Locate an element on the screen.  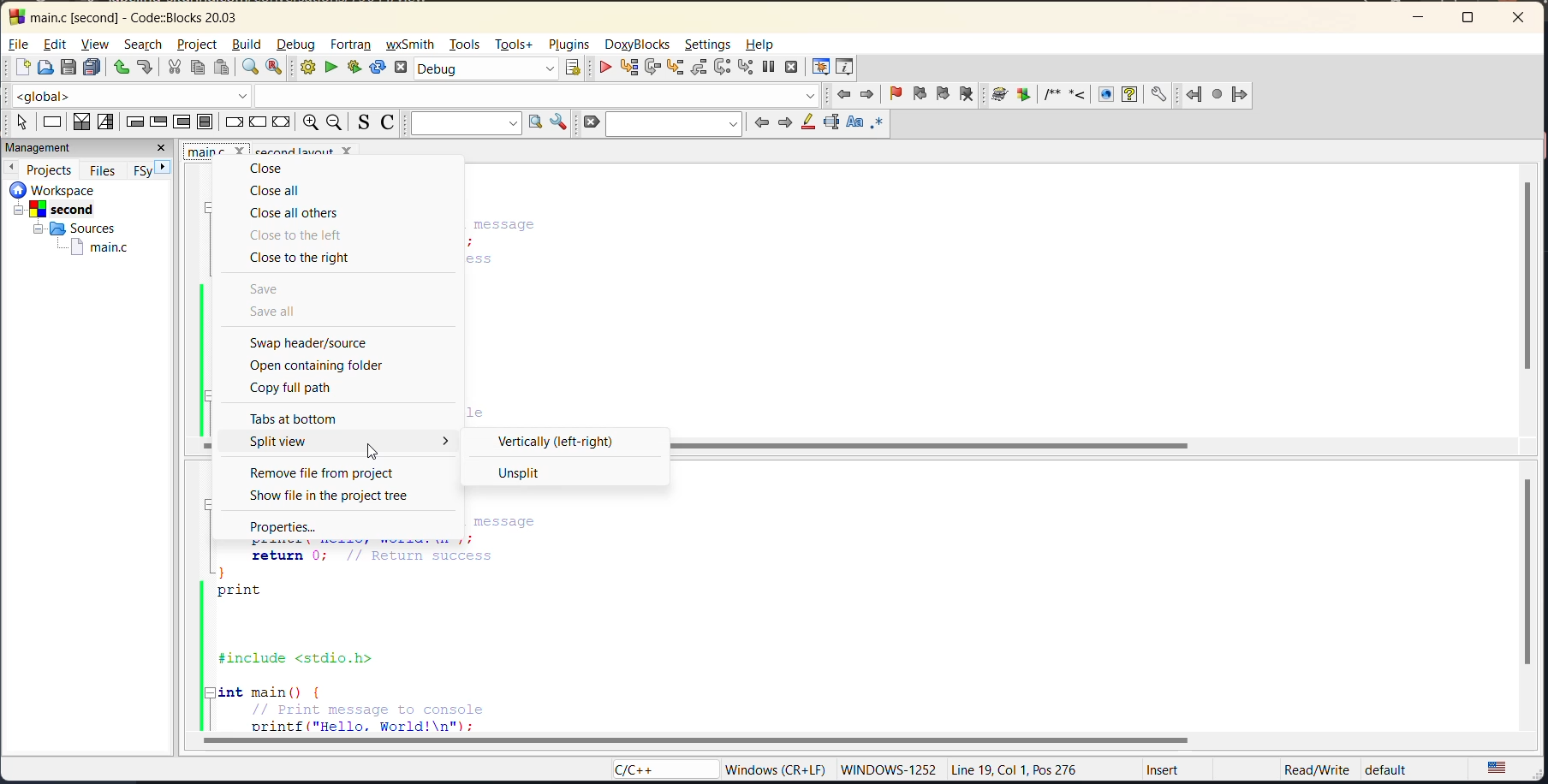
previous bookmark is located at coordinates (920, 93).